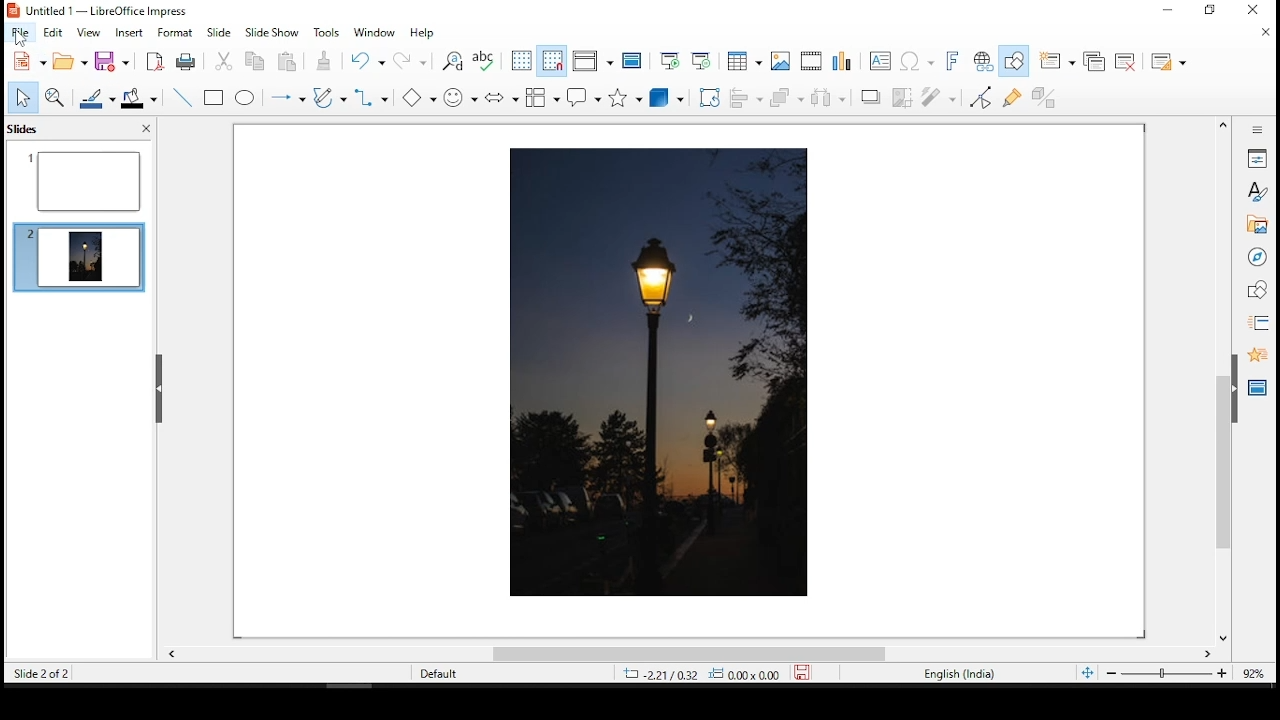 This screenshot has height=720, width=1280. I want to click on basic shapes, so click(417, 97).